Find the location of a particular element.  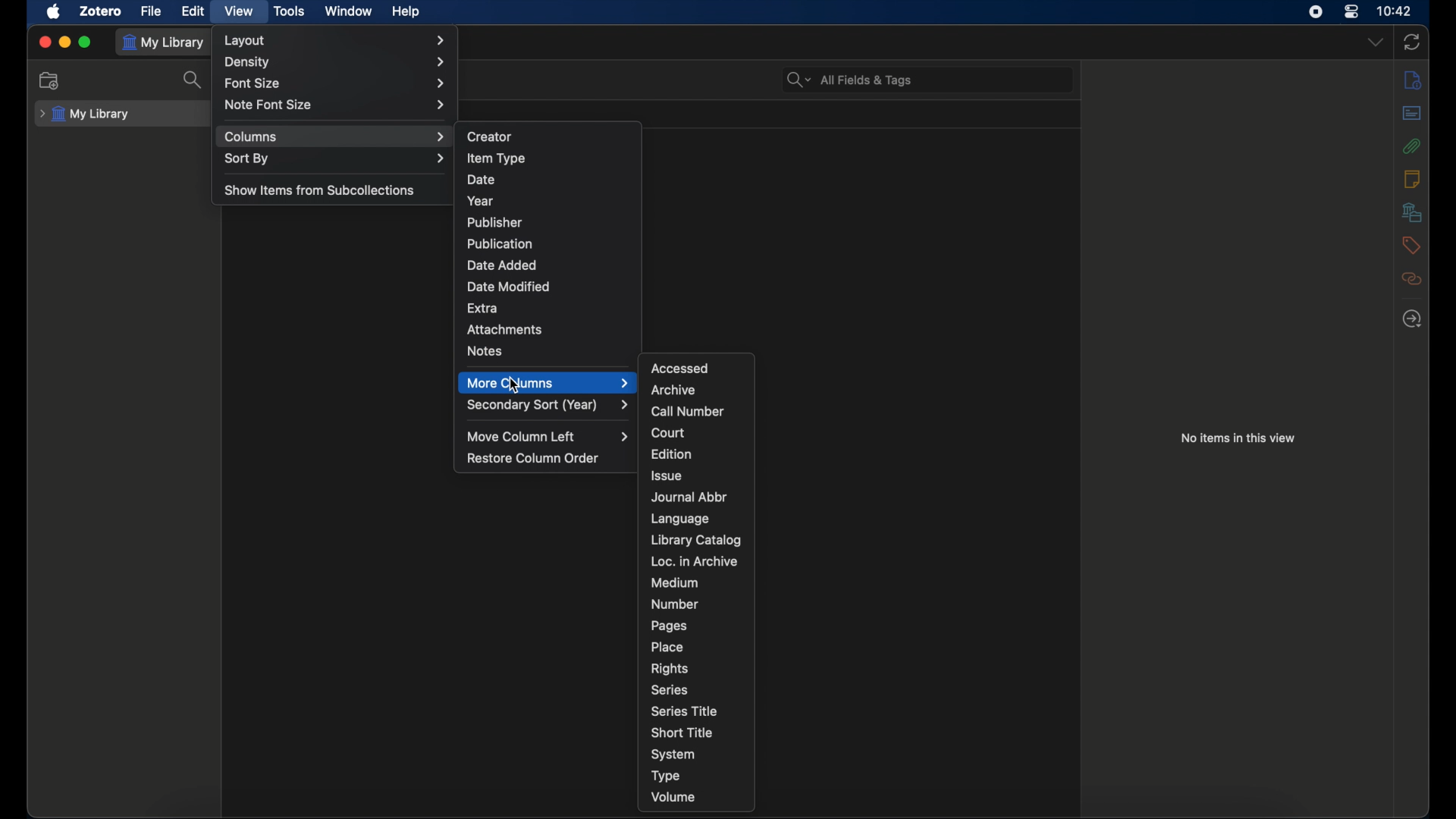

date added is located at coordinates (501, 265).